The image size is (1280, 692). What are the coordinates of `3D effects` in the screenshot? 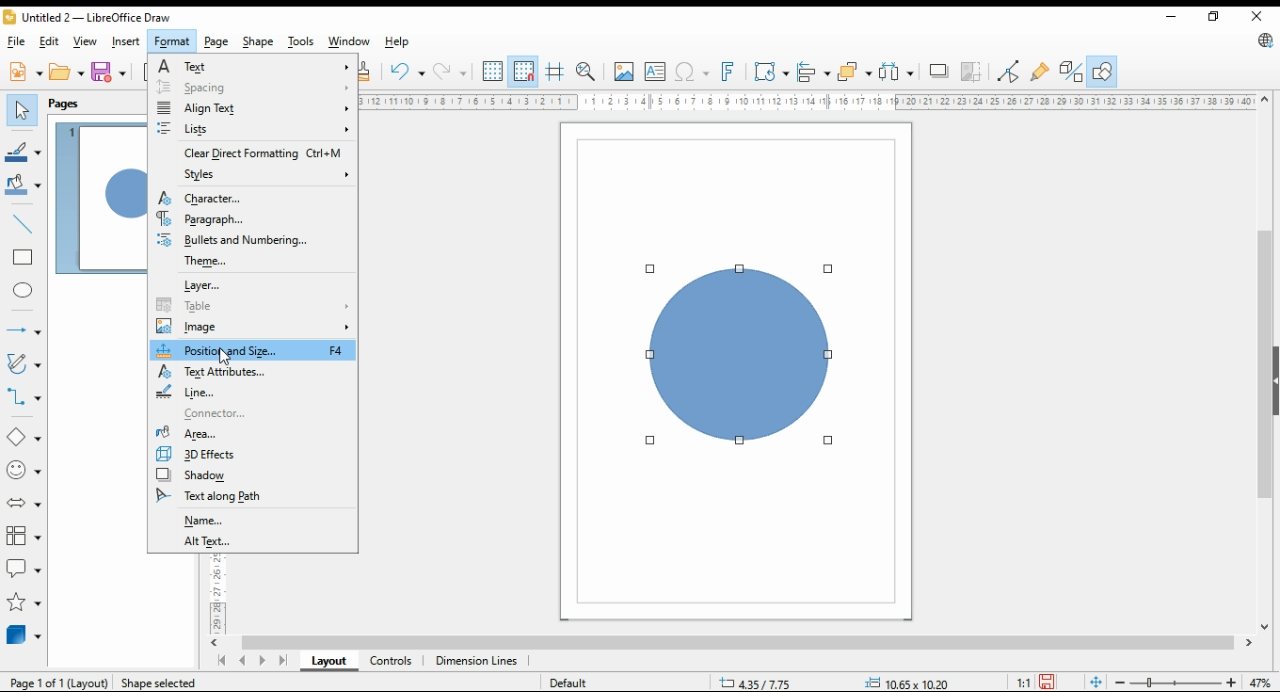 It's located at (213, 454).